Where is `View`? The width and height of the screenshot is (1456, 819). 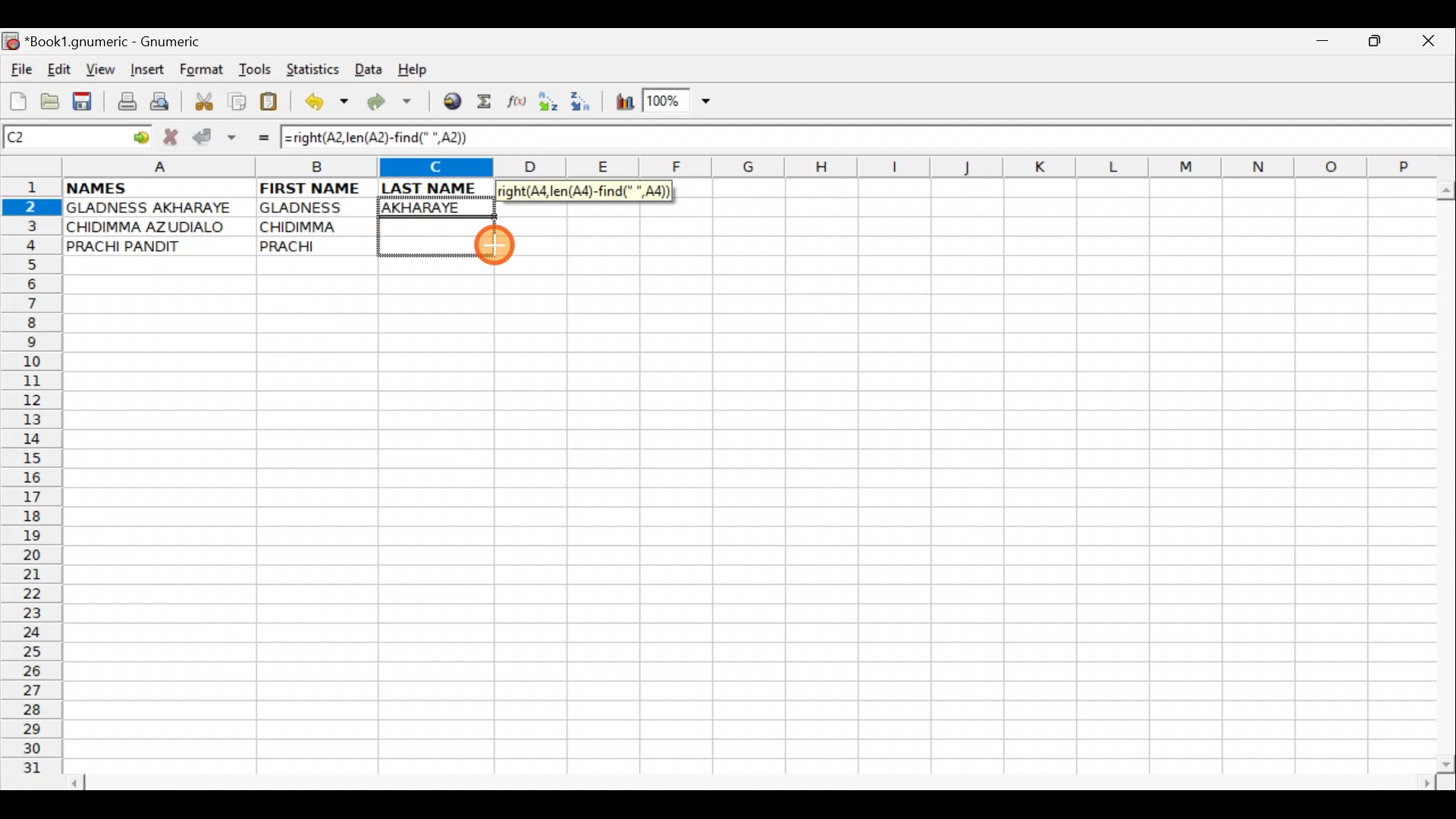 View is located at coordinates (96, 69).